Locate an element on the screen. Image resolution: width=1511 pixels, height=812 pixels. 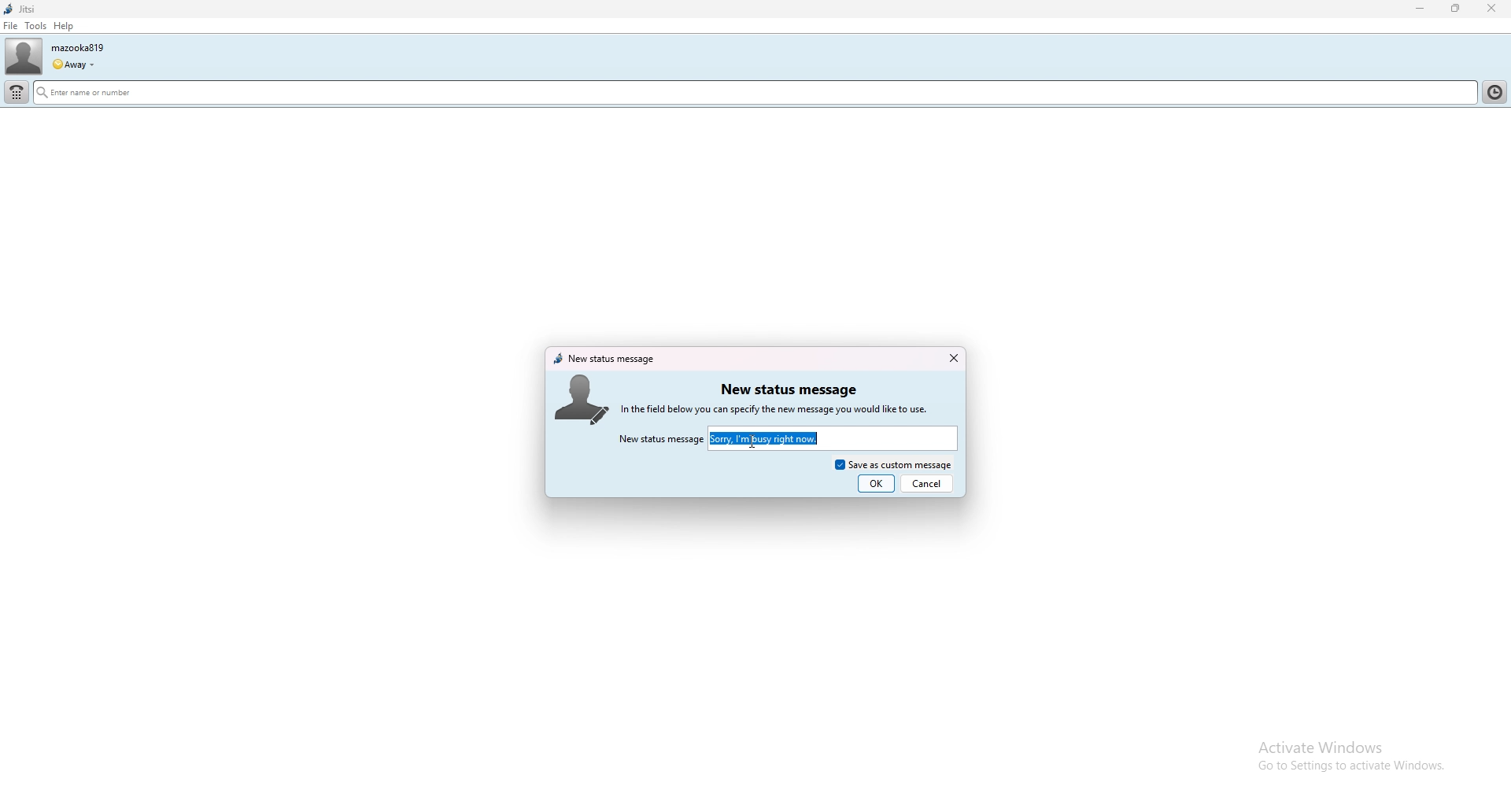
status is located at coordinates (72, 65).